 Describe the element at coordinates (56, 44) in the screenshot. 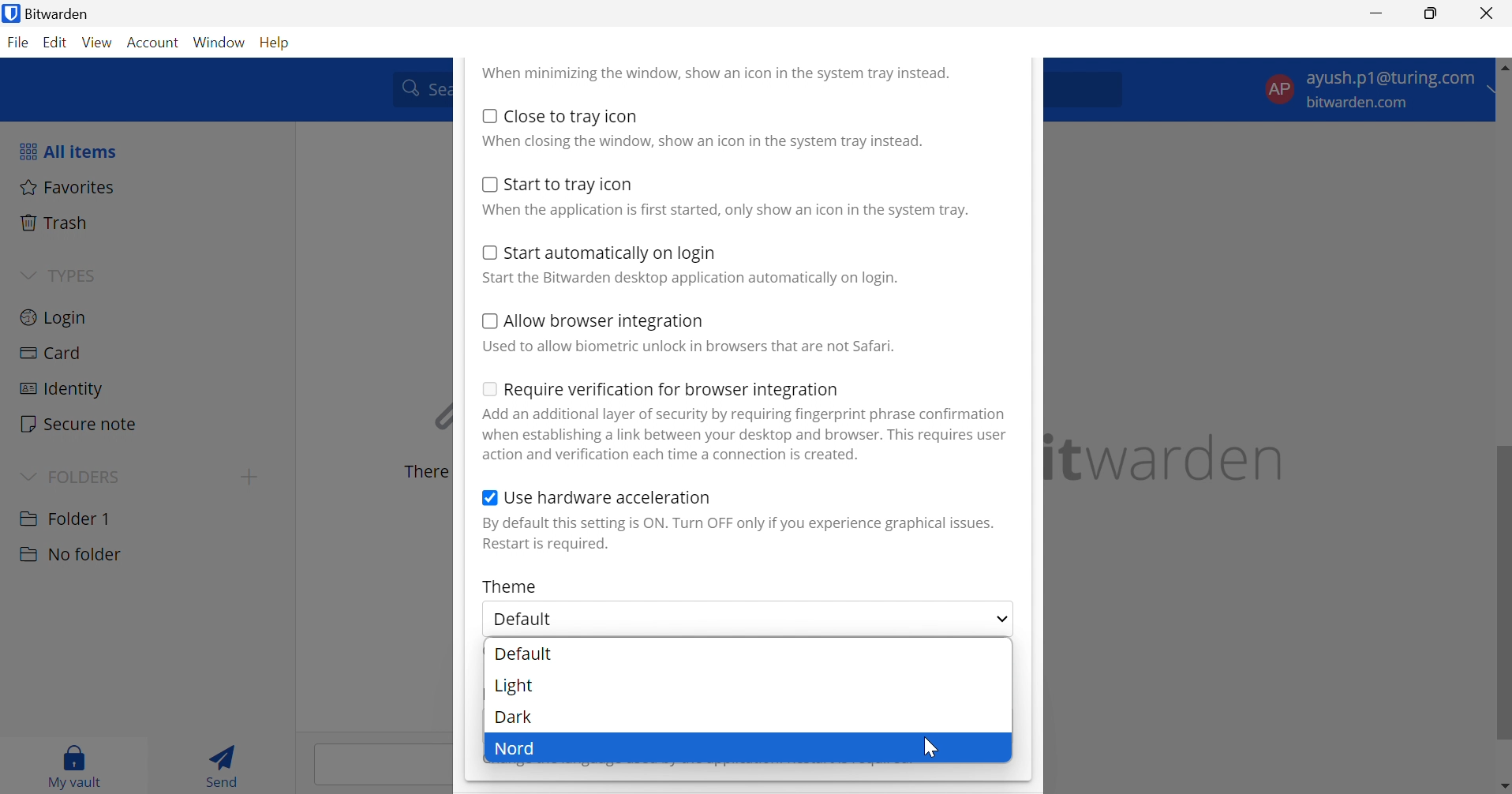

I see `Edit` at that location.